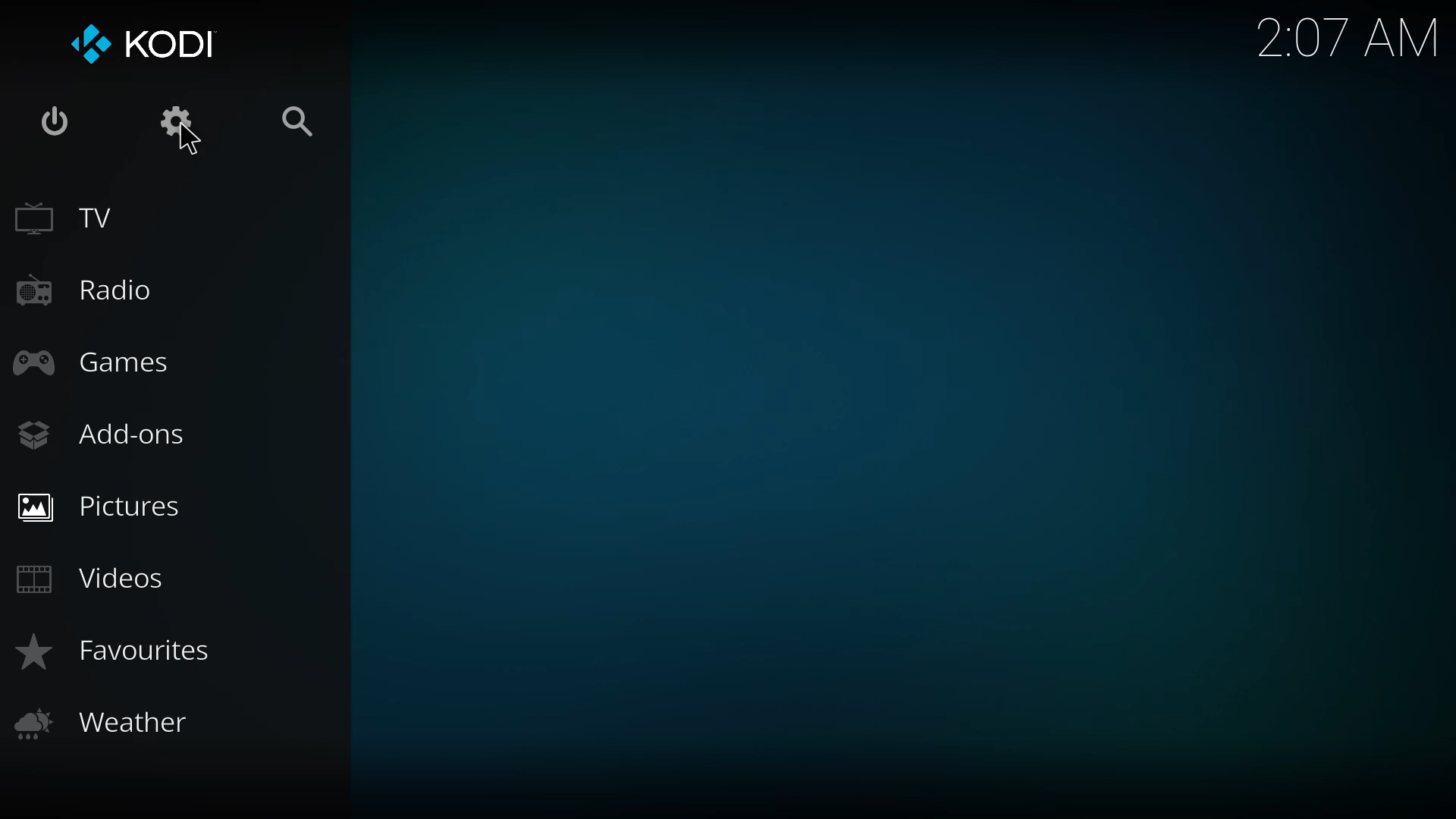  Describe the element at coordinates (1338, 39) in the screenshot. I see `time` at that location.